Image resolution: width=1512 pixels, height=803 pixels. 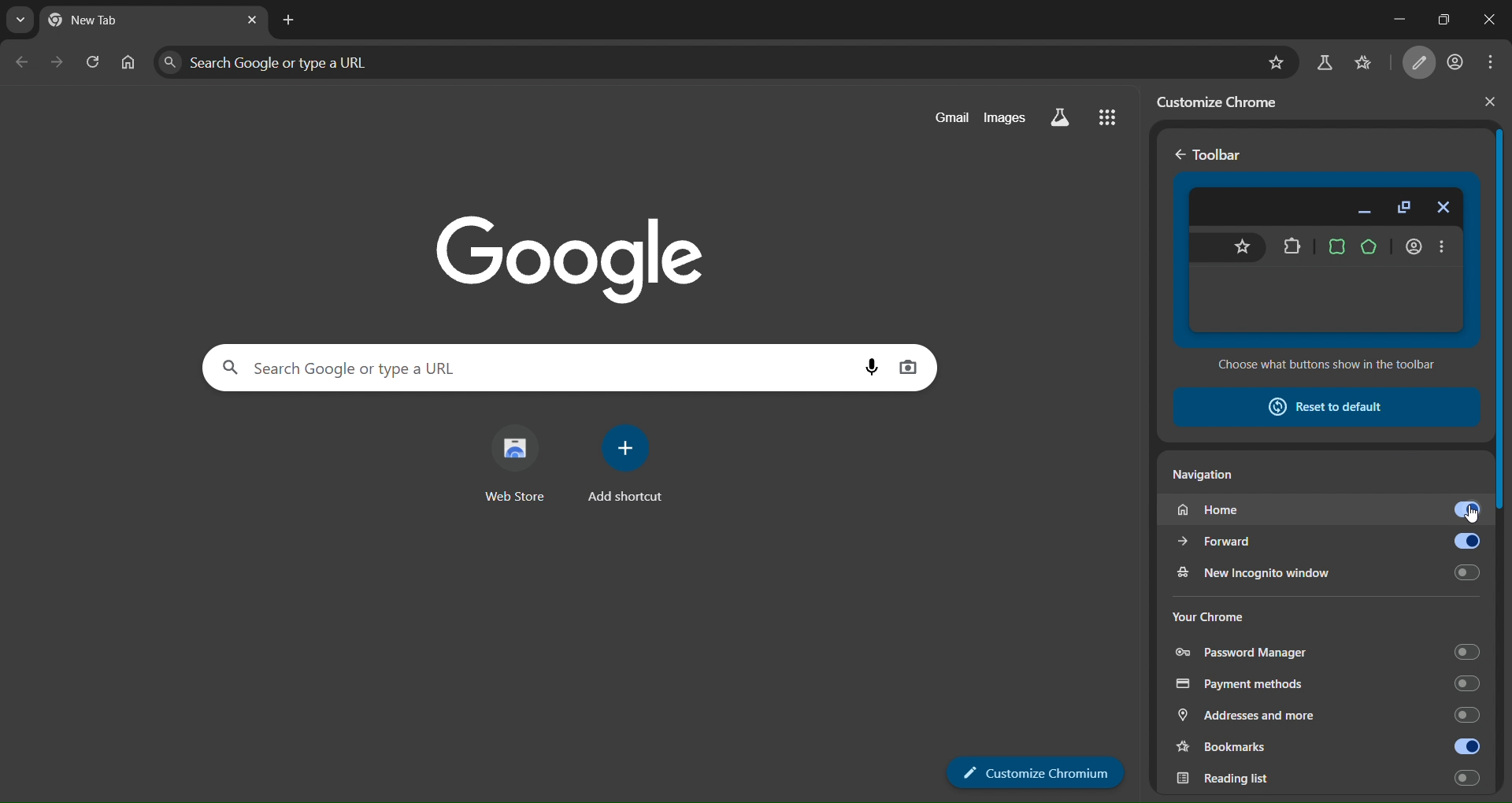 What do you see at coordinates (632, 468) in the screenshot?
I see `add shortcut` at bounding box center [632, 468].